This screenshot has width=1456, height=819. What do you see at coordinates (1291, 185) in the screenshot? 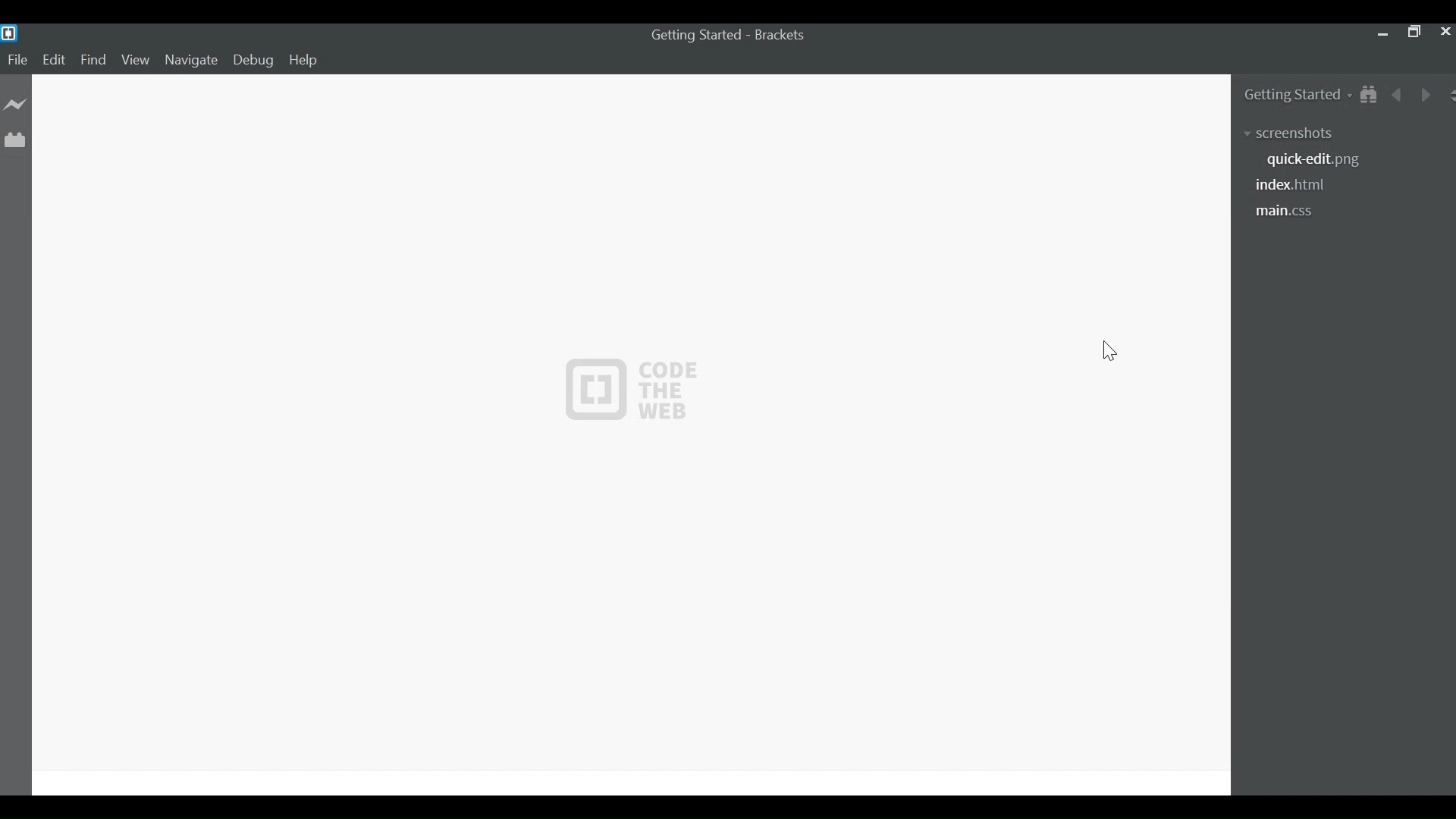
I see `index.html` at bounding box center [1291, 185].